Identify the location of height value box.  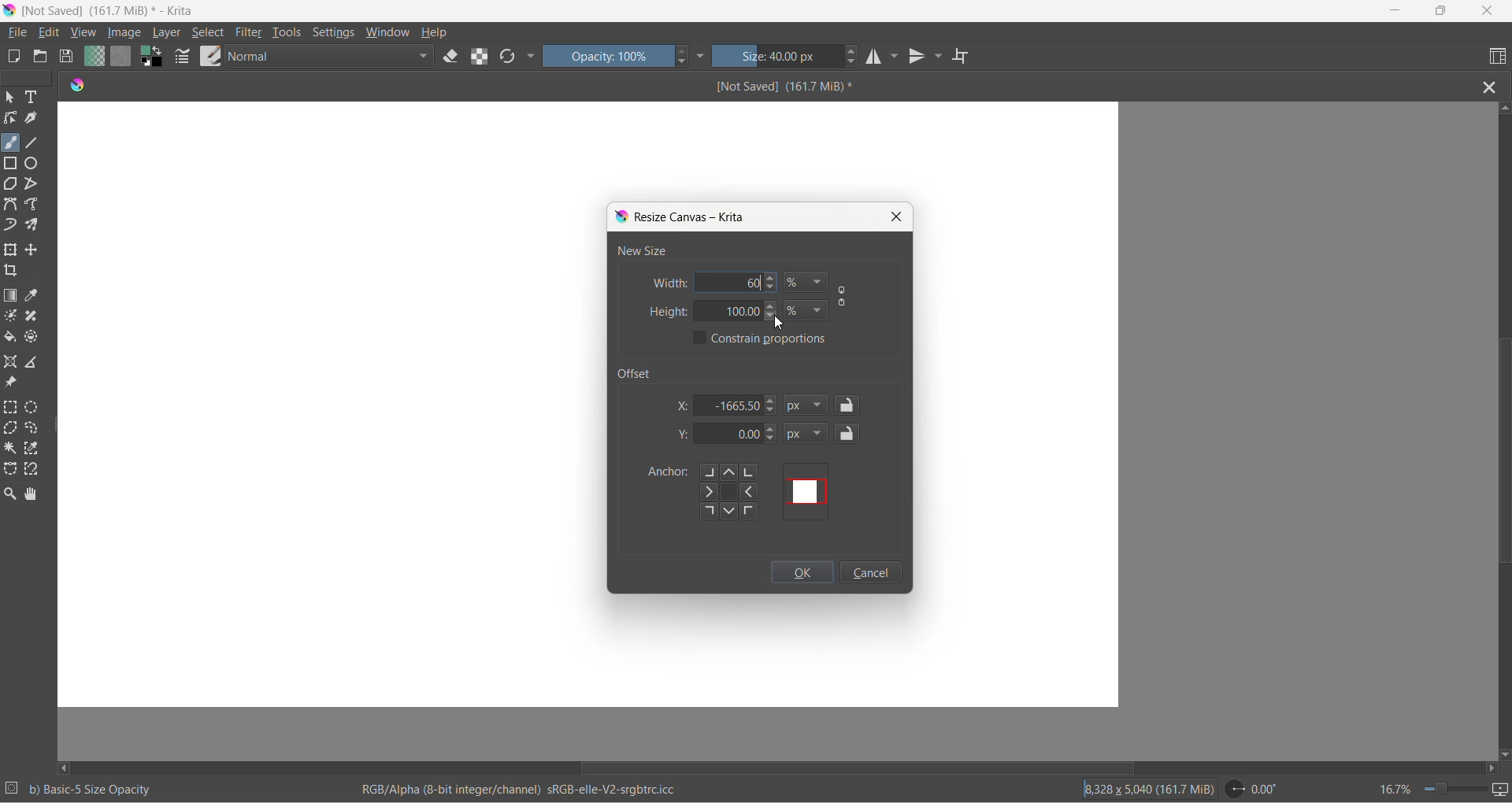
(729, 312).